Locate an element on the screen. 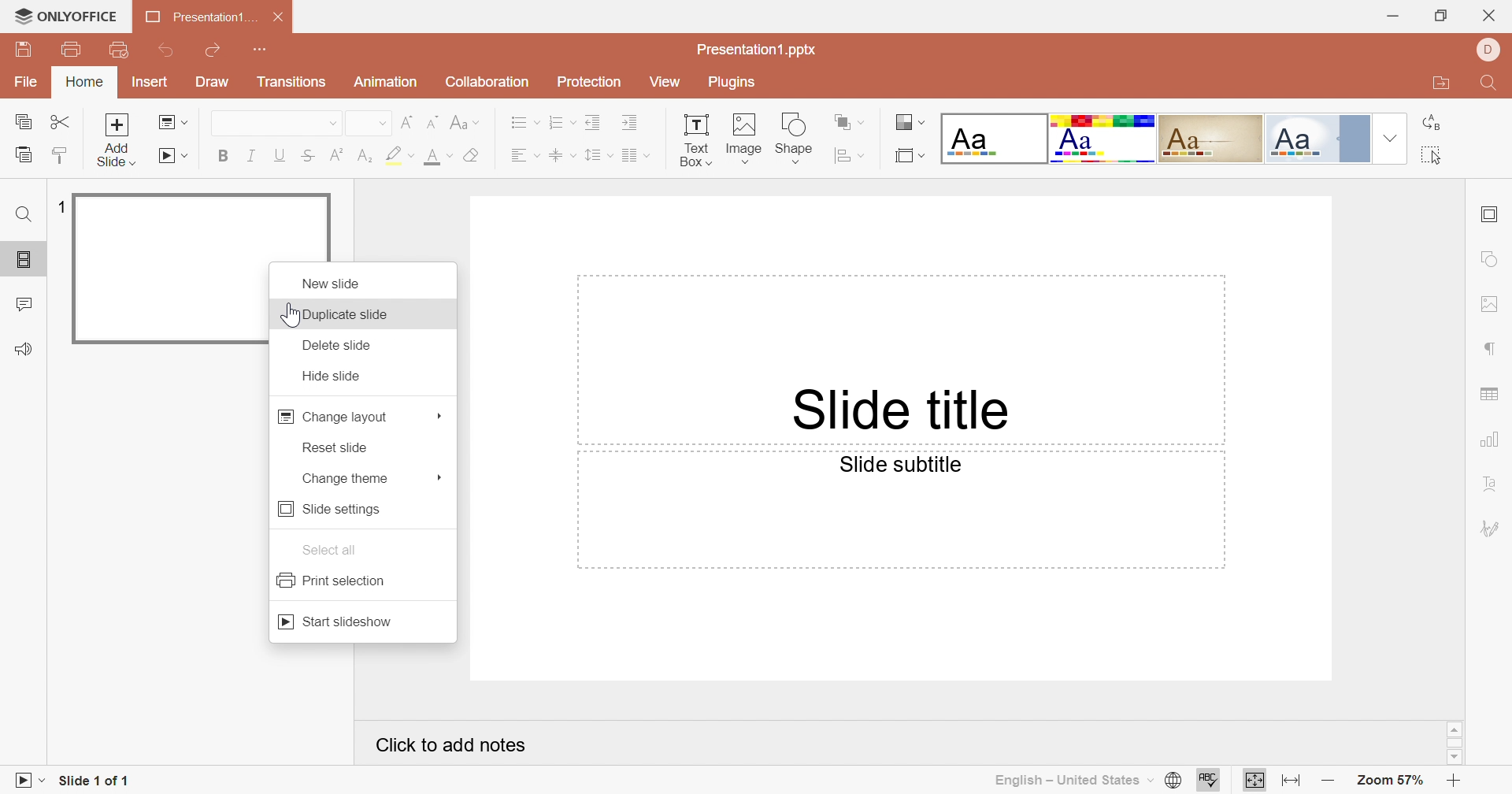 This screenshot has height=794, width=1512. Line spacing is located at coordinates (595, 156).